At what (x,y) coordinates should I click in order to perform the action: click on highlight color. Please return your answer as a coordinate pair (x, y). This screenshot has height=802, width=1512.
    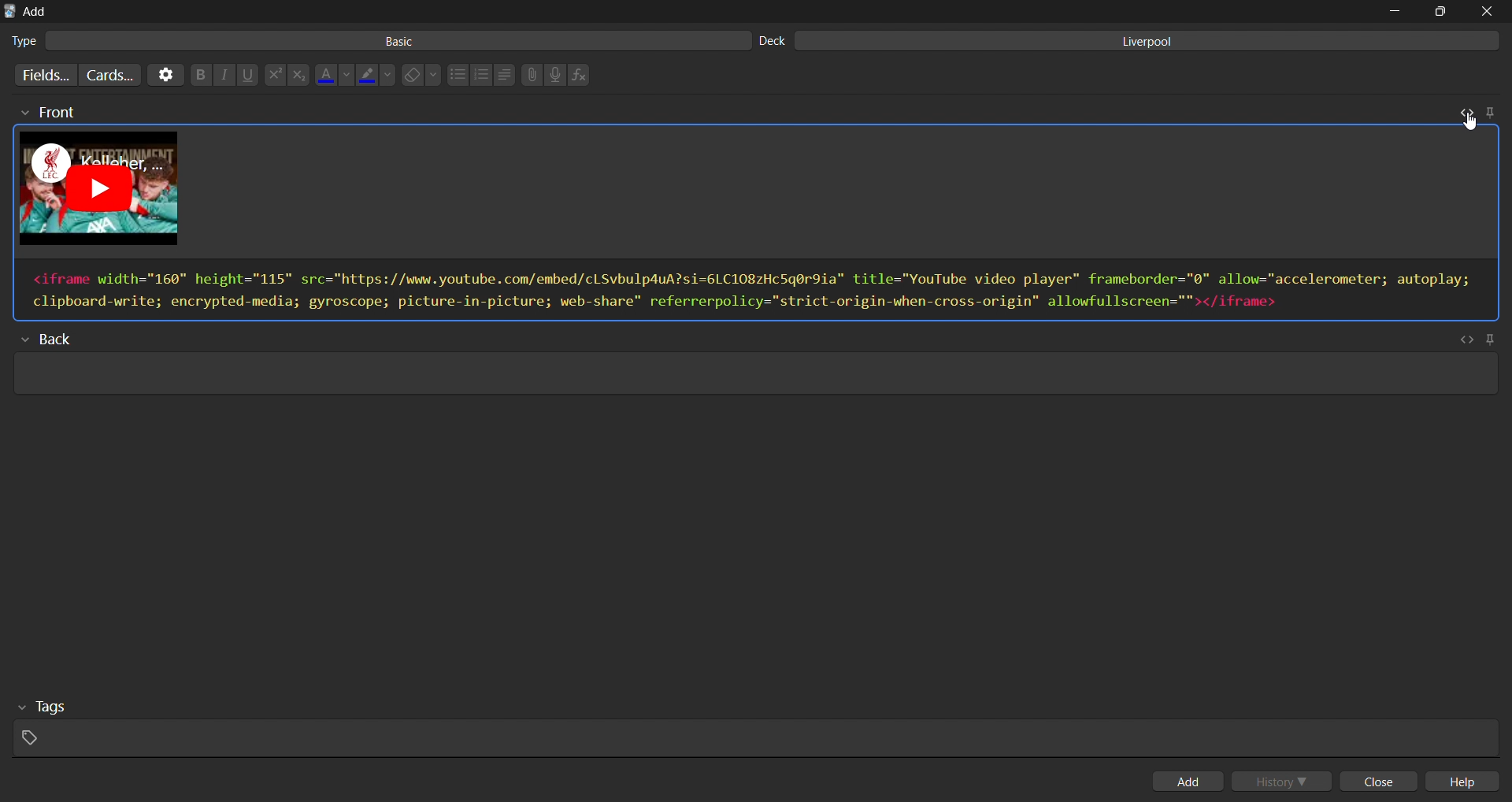
    Looking at the image, I should click on (377, 72).